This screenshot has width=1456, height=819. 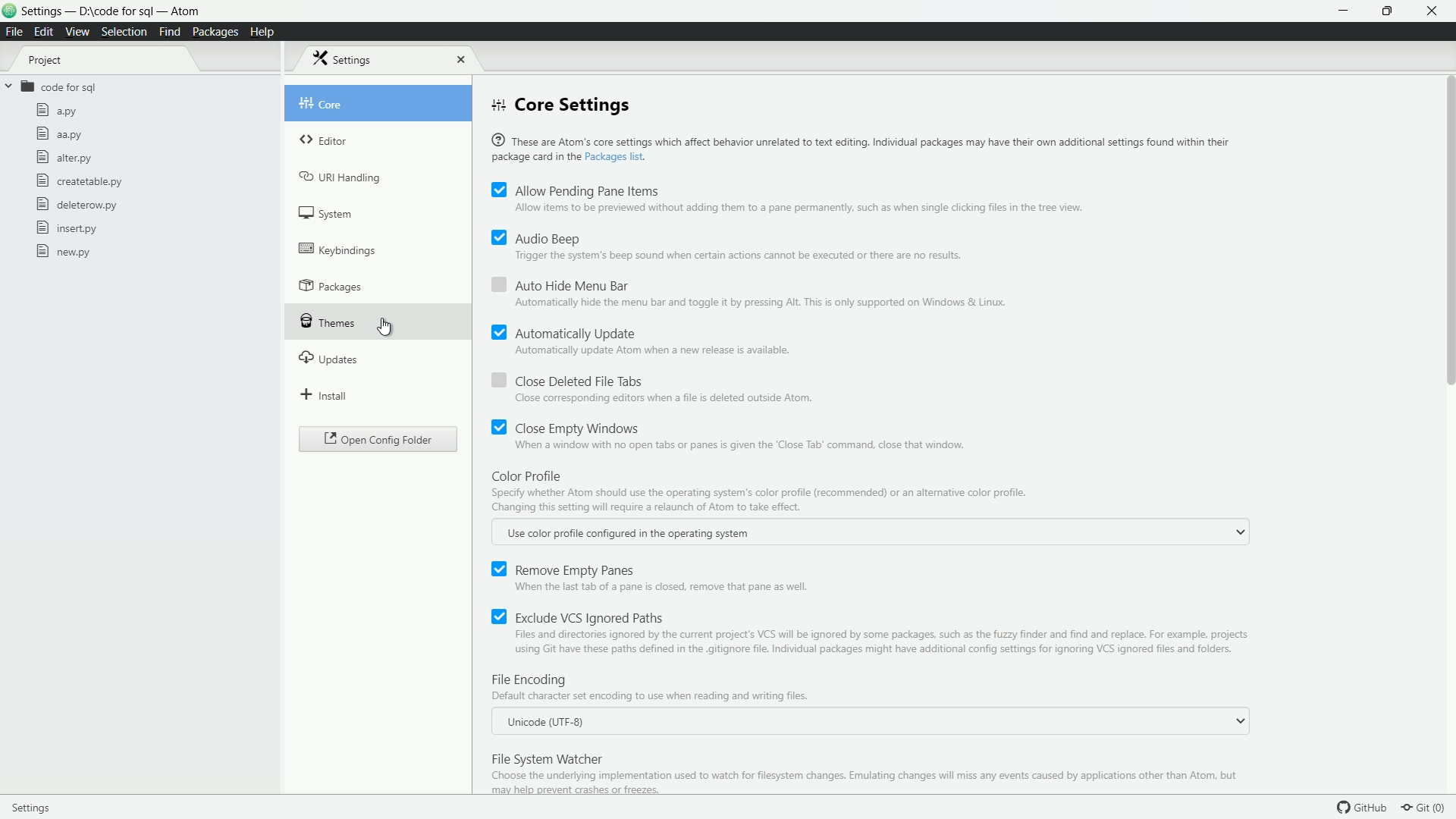 I want to click on close empty windows, so click(x=567, y=426).